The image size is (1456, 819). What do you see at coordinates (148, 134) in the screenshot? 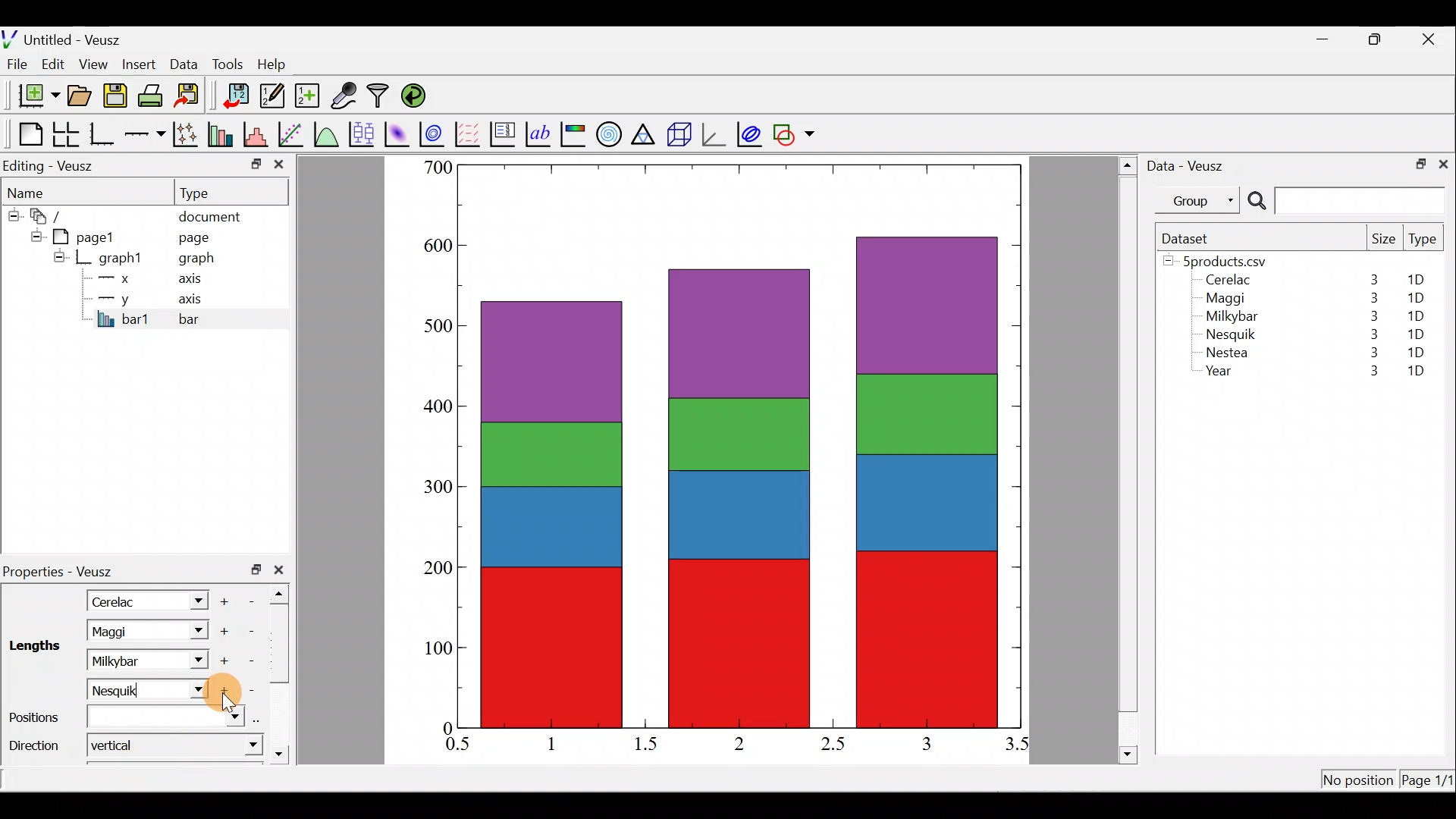
I see `Add an axis to the plot` at bounding box center [148, 134].